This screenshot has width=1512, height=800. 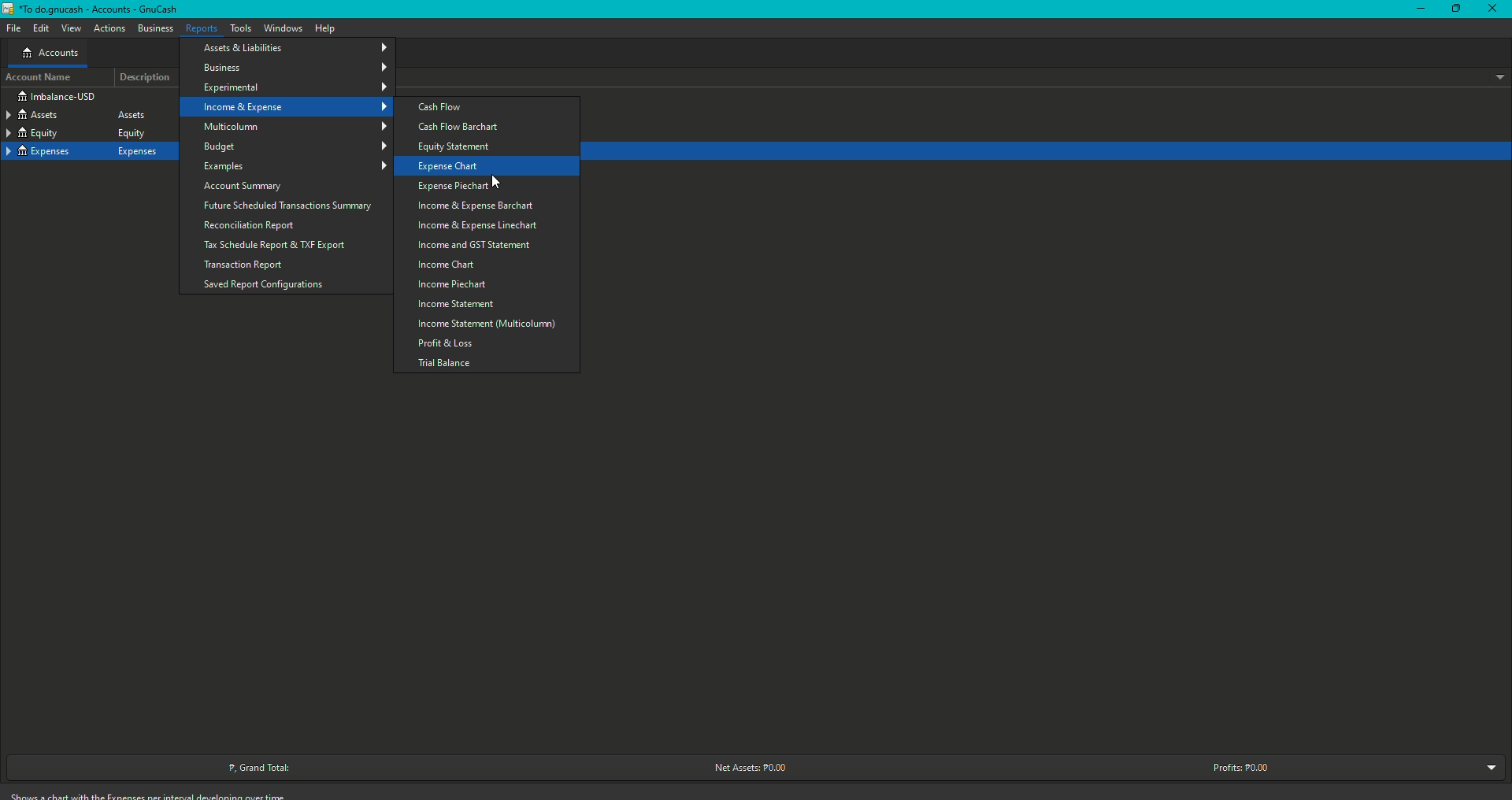 I want to click on View, so click(x=71, y=27).